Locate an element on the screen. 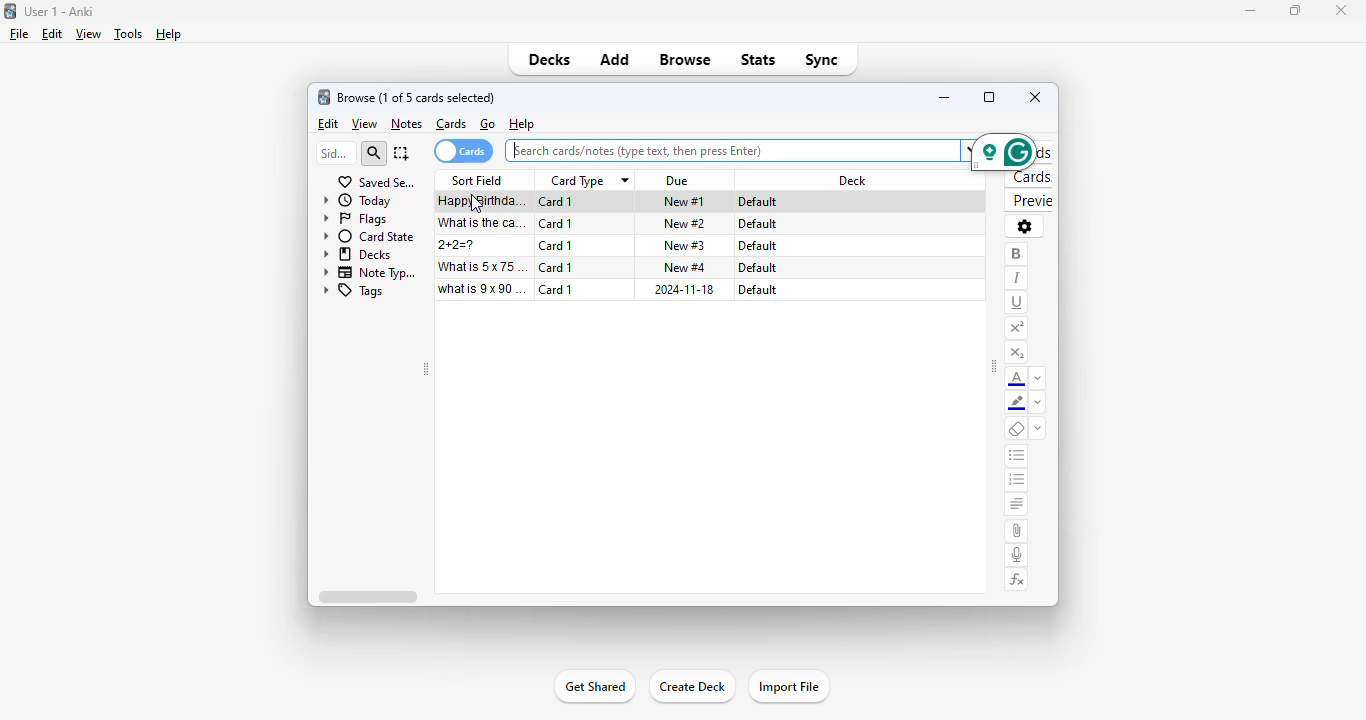 Image resolution: width=1366 pixels, height=720 pixels. sidebar filter is located at coordinates (335, 153).